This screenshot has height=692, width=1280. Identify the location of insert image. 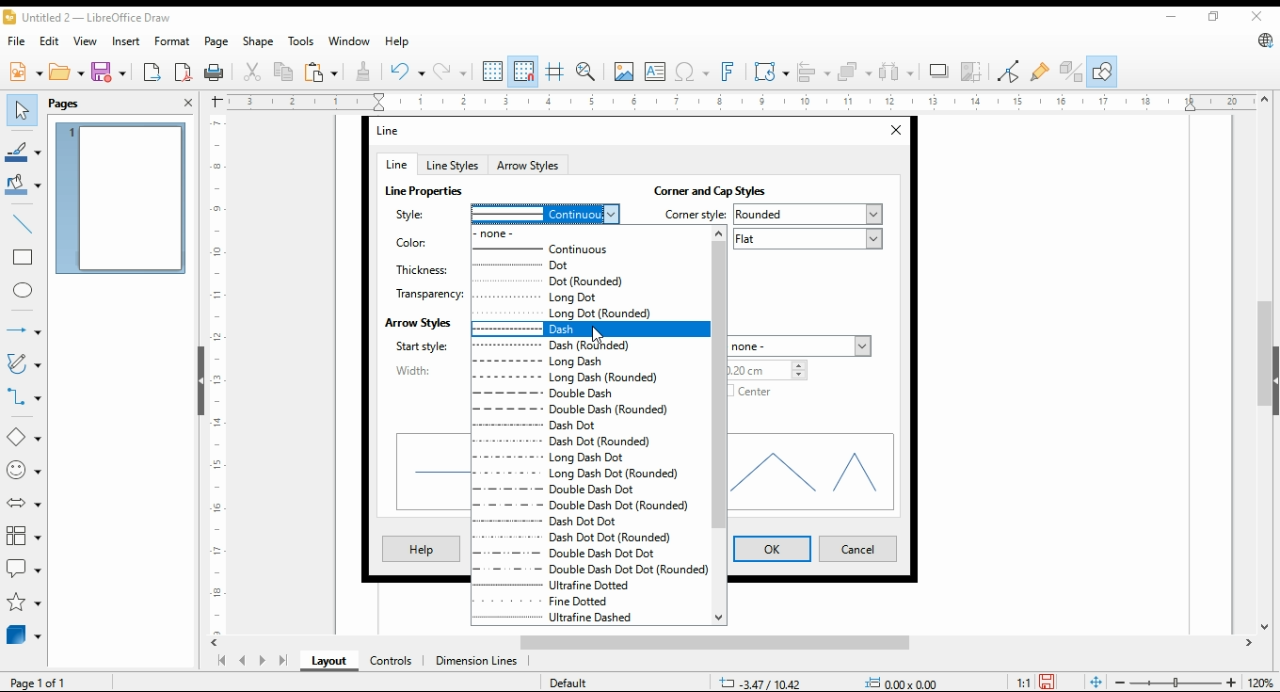
(623, 71).